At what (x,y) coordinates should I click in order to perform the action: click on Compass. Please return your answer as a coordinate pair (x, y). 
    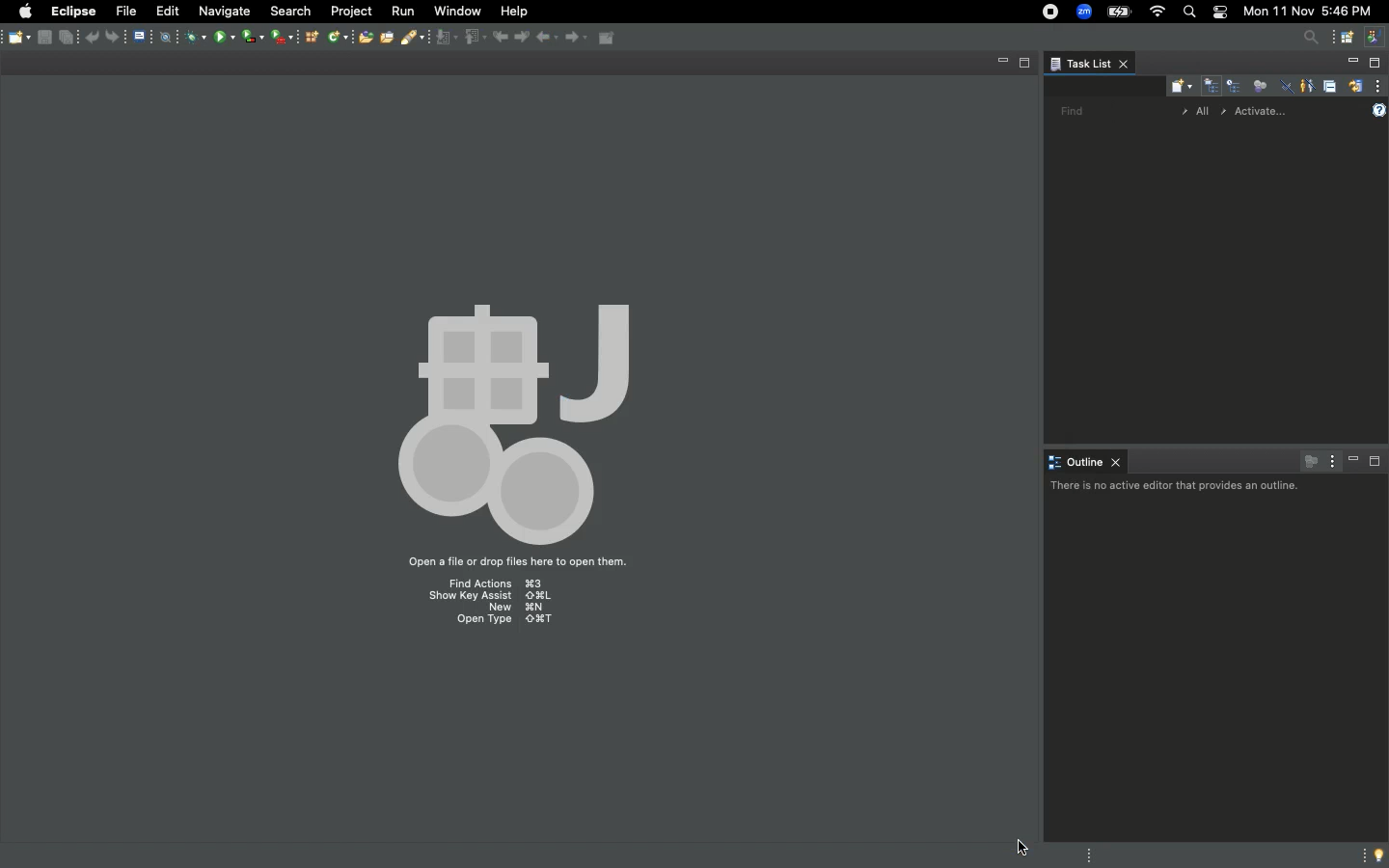
    Looking at the image, I should click on (170, 37).